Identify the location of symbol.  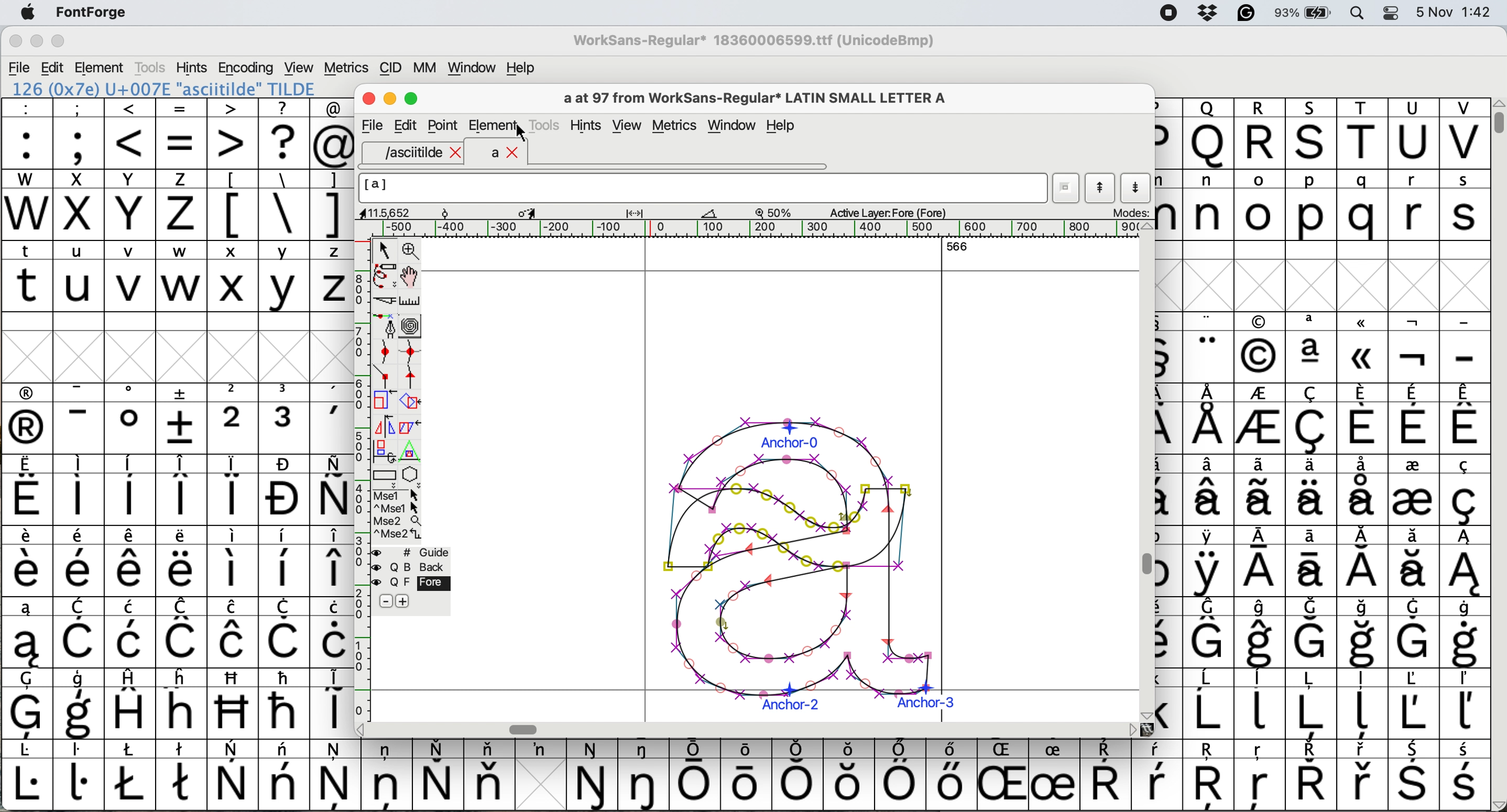
(183, 632).